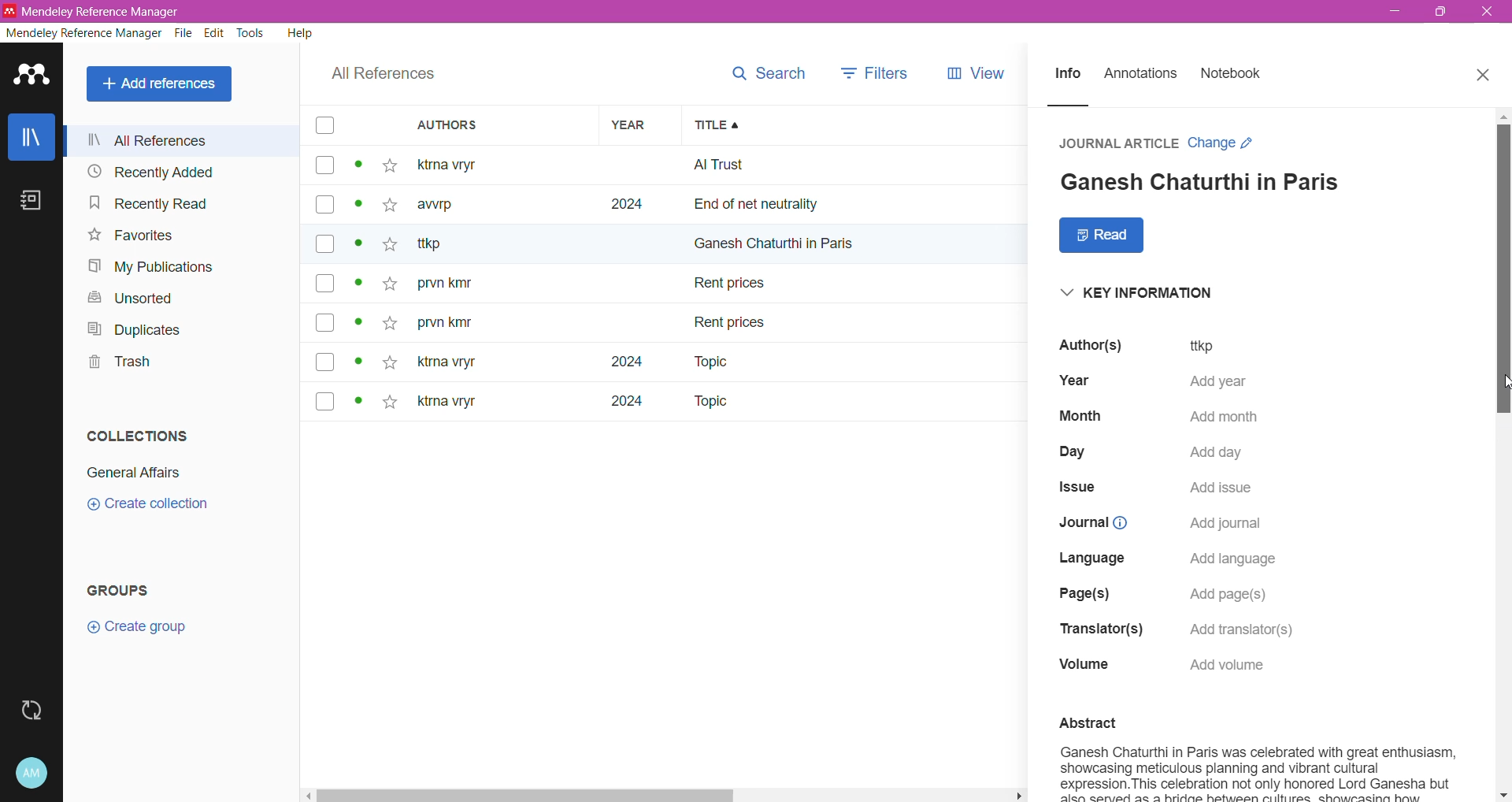 This screenshot has width=1512, height=802. What do you see at coordinates (1126, 722) in the screenshot?
I see `Abstract` at bounding box center [1126, 722].